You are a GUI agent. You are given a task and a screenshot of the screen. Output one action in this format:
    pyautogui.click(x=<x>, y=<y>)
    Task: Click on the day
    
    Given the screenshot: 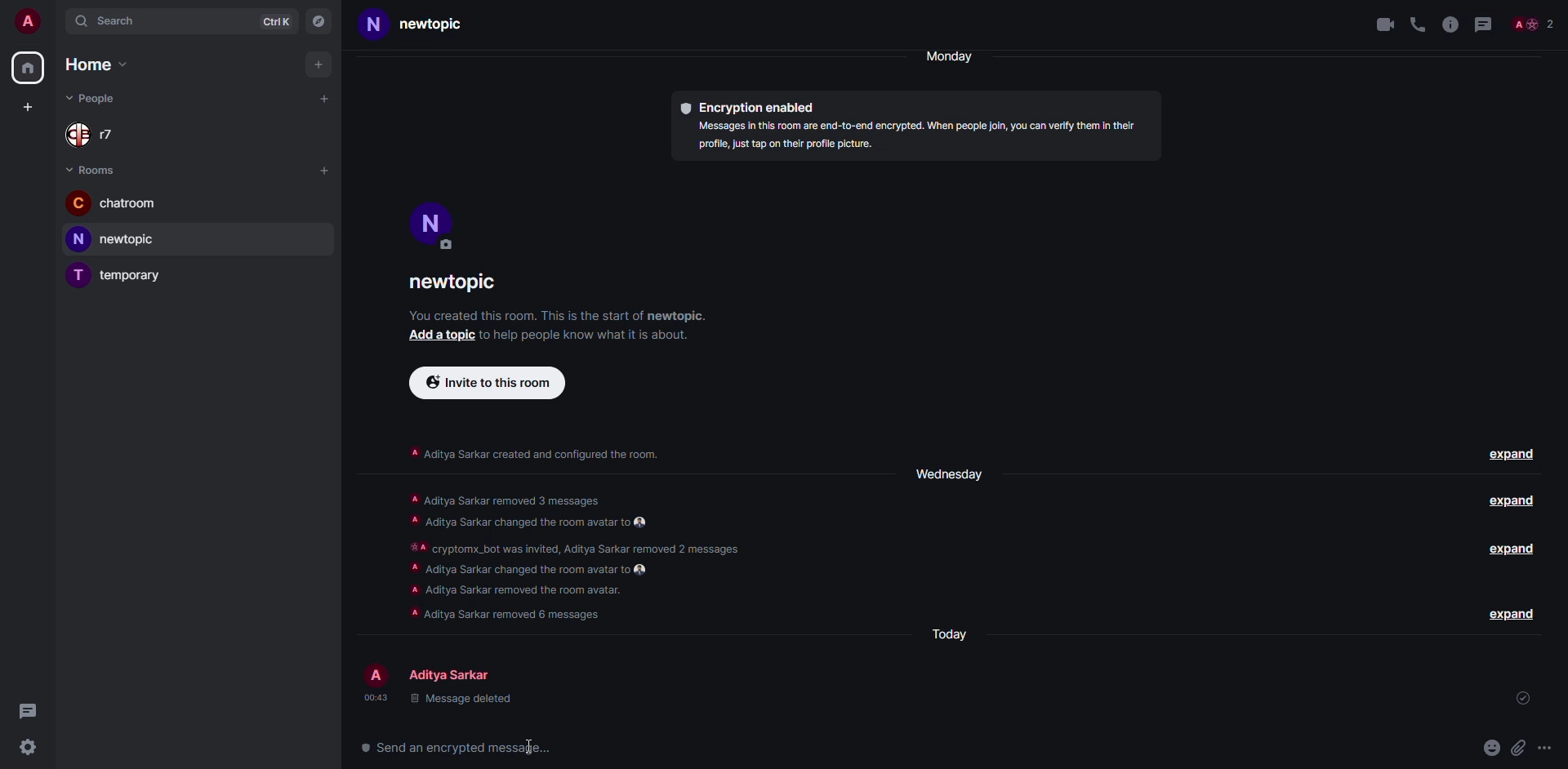 What is the action you would take?
    pyautogui.click(x=956, y=56)
    